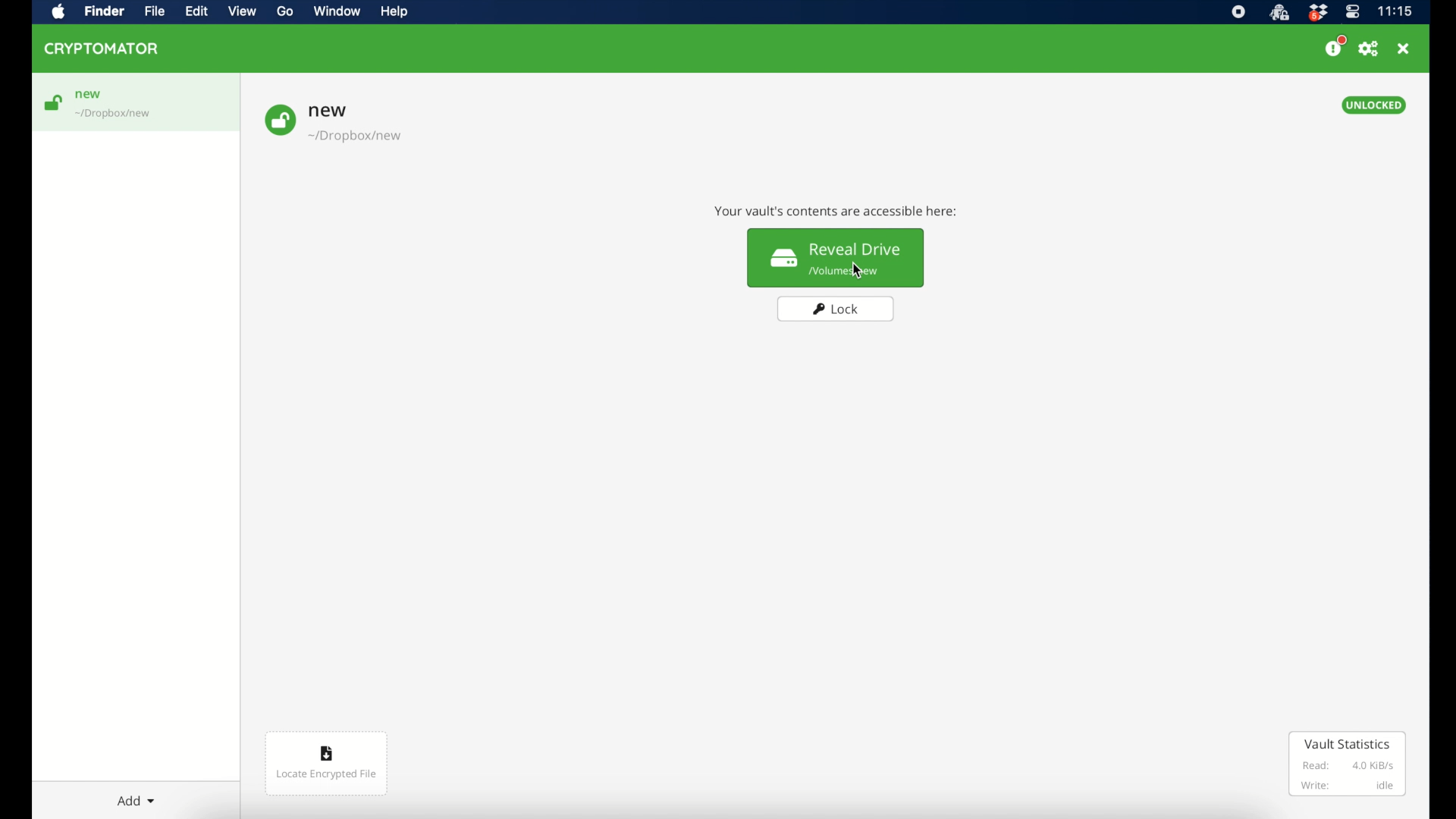  Describe the element at coordinates (328, 111) in the screenshot. I see `new` at that location.